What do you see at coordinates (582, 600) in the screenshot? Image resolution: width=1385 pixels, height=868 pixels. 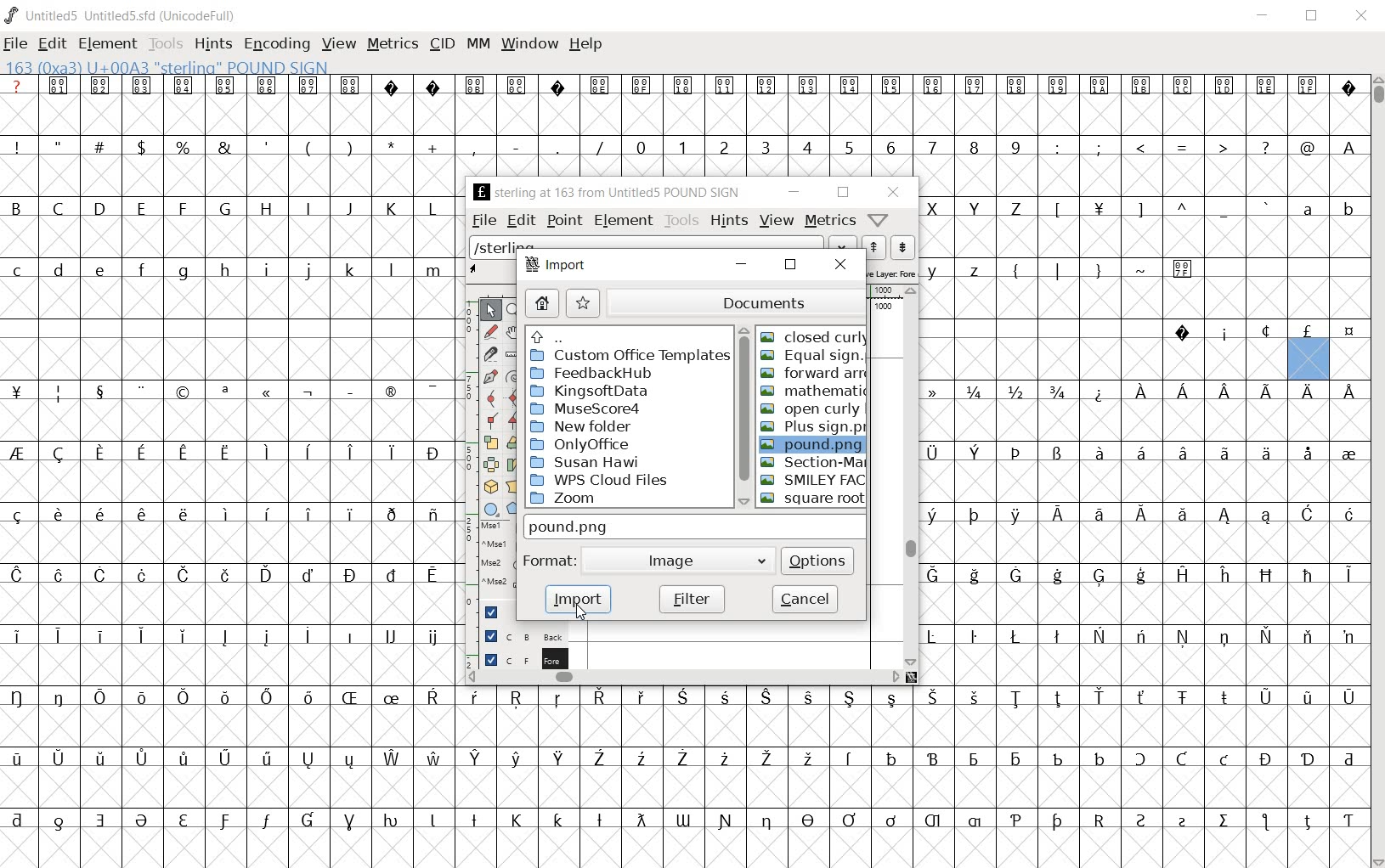 I see `import` at bounding box center [582, 600].